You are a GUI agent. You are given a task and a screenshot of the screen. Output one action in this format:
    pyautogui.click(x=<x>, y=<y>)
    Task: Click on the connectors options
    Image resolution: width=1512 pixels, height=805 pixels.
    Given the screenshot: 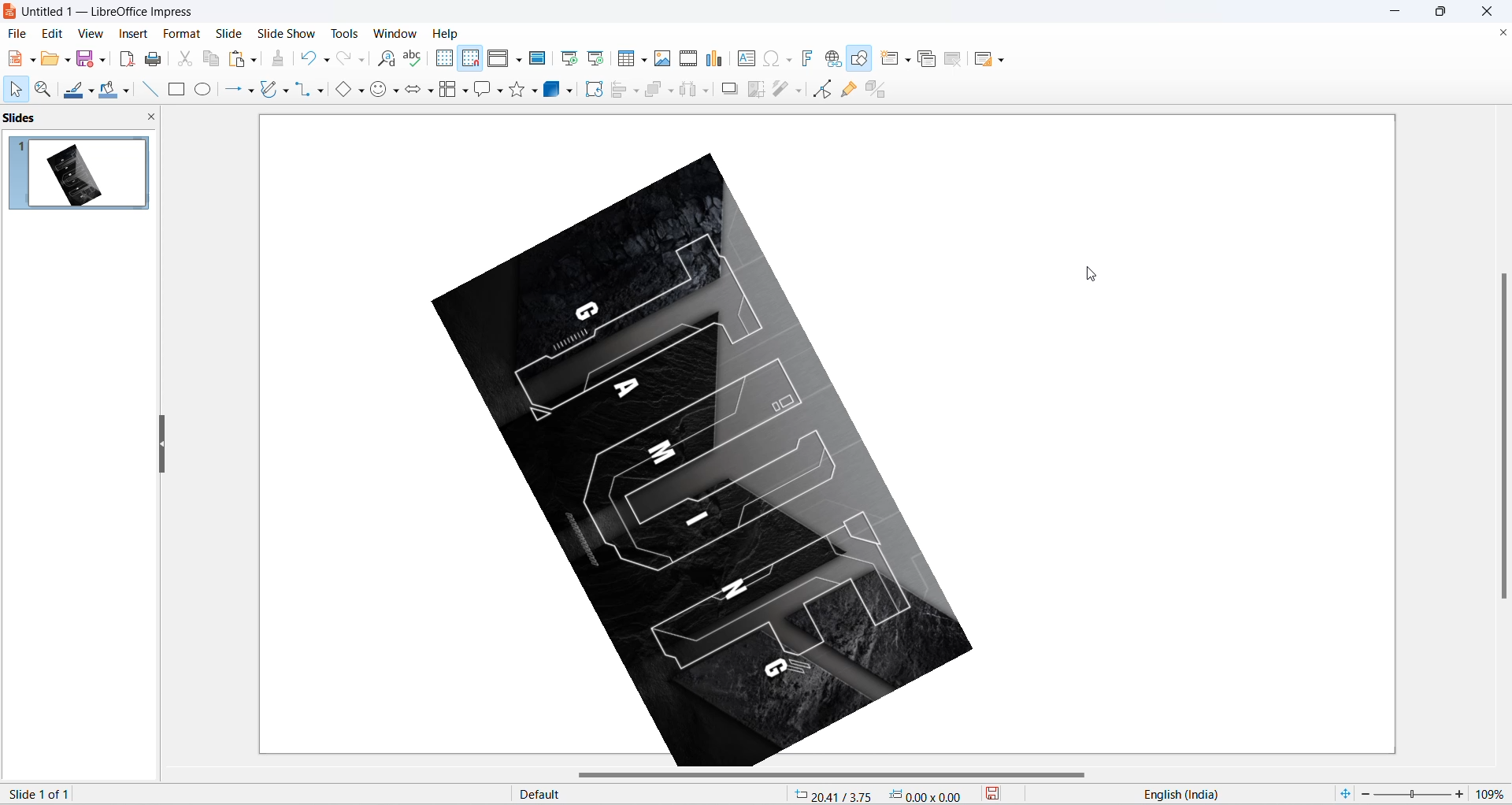 What is the action you would take?
    pyautogui.click(x=318, y=90)
    